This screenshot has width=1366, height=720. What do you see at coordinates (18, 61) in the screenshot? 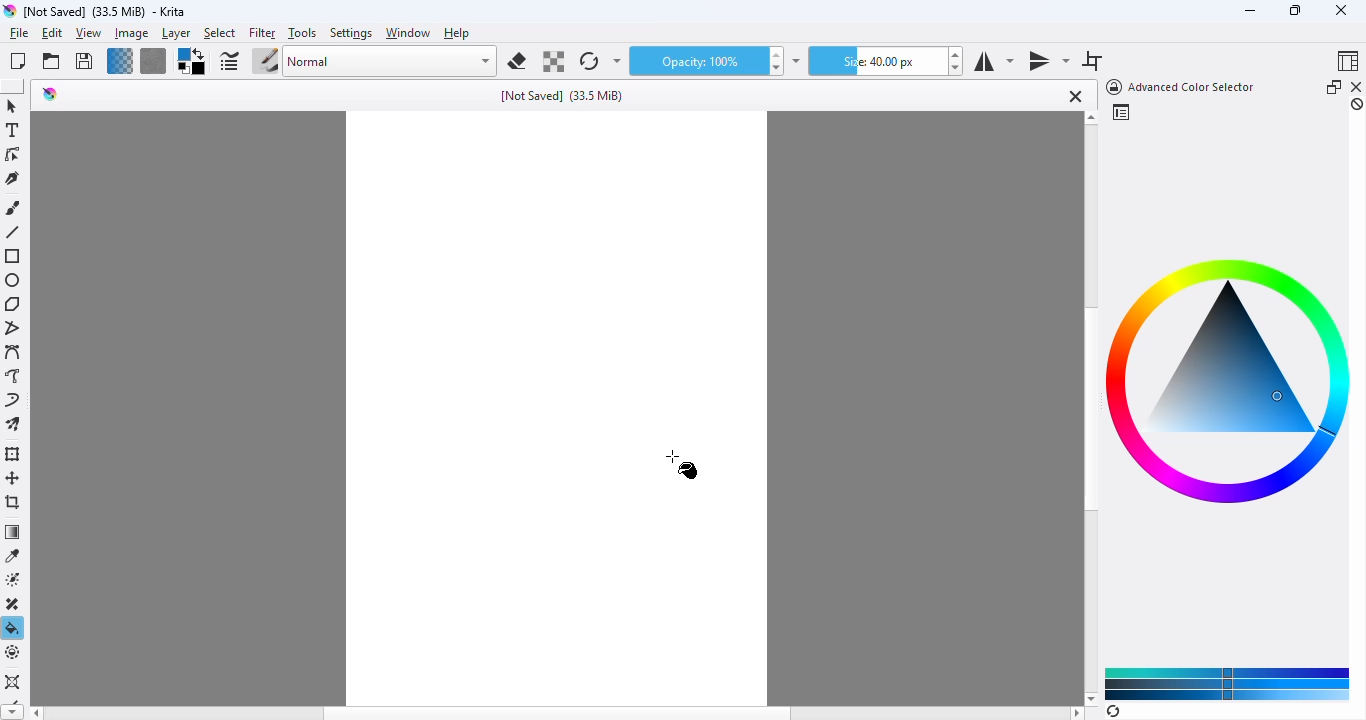
I see `create new document` at bounding box center [18, 61].